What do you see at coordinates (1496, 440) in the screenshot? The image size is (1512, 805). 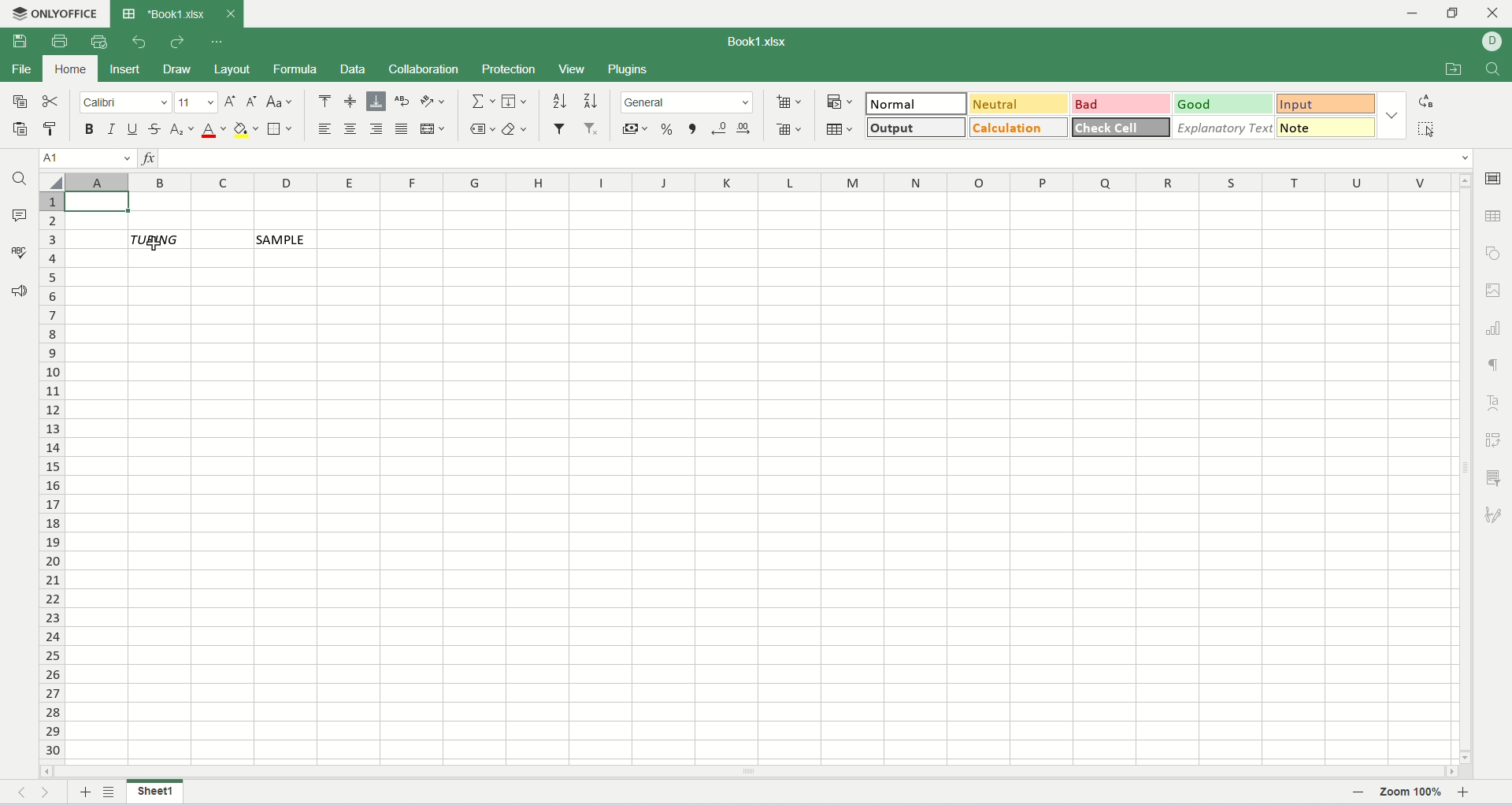 I see `pivot settings` at bounding box center [1496, 440].